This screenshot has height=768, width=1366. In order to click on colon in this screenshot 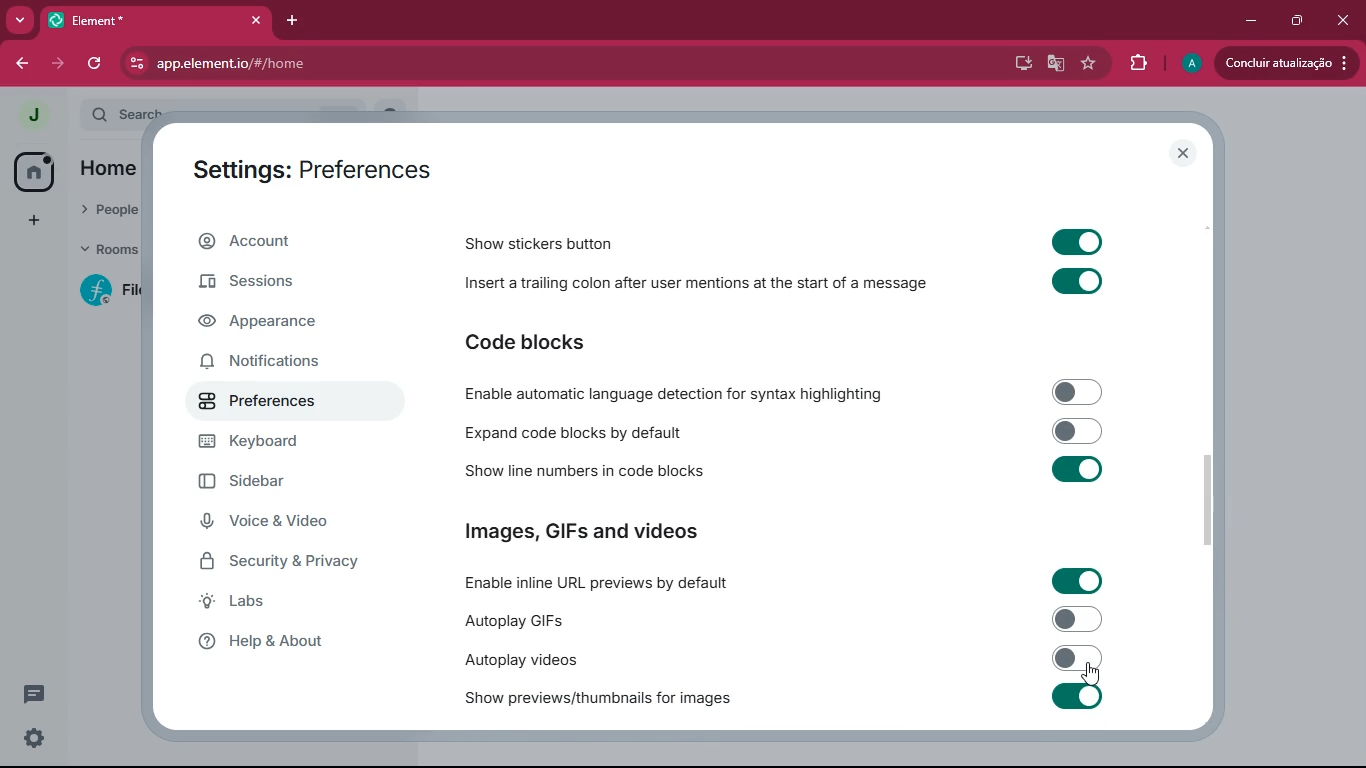, I will do `click(694, 287)`.